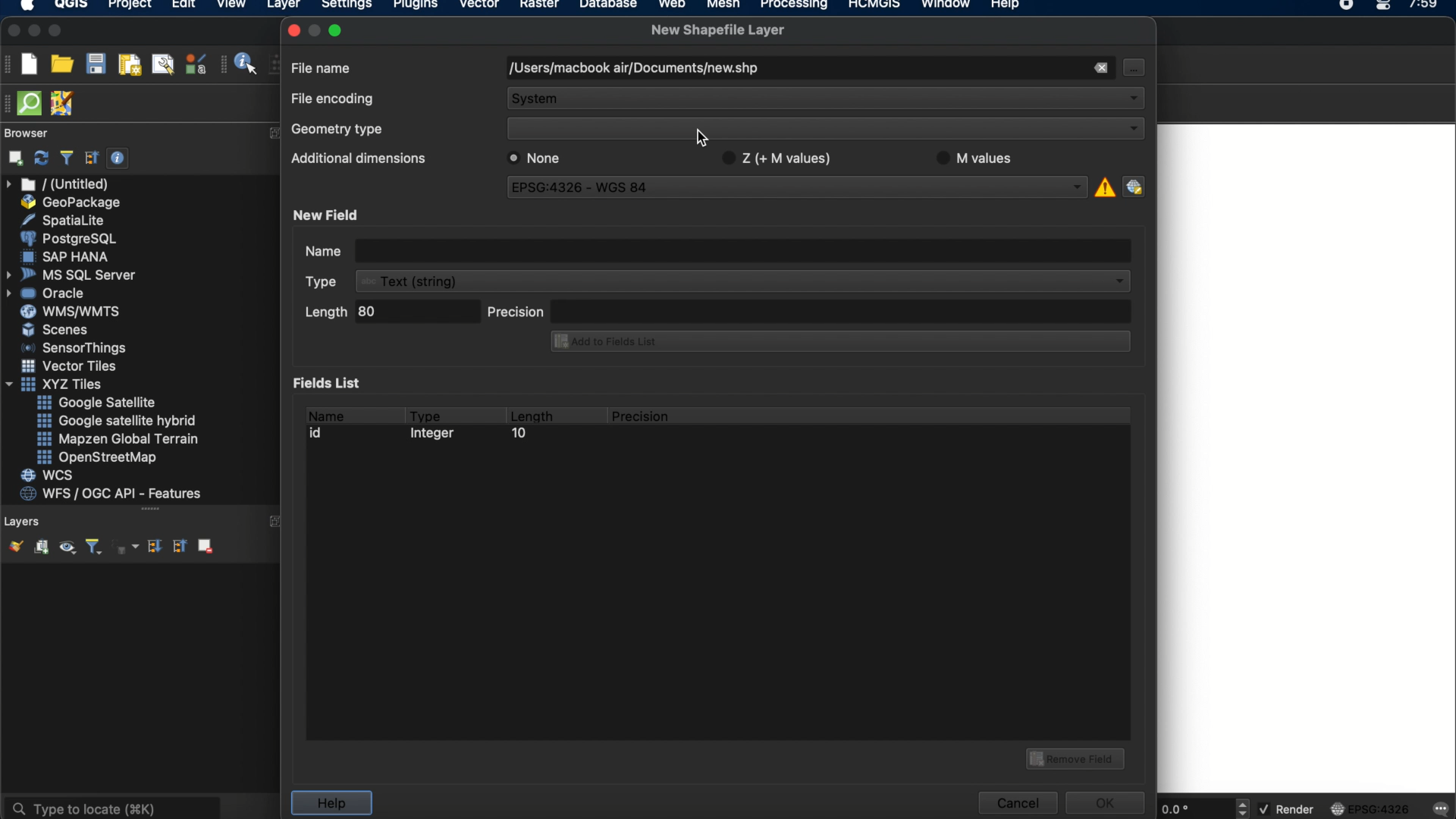 This screenshot has height=819, width=1456. What do you see at coordinates (788, 186) in the screenshot?
I see `crs selected` at bounding box center [788, 186].